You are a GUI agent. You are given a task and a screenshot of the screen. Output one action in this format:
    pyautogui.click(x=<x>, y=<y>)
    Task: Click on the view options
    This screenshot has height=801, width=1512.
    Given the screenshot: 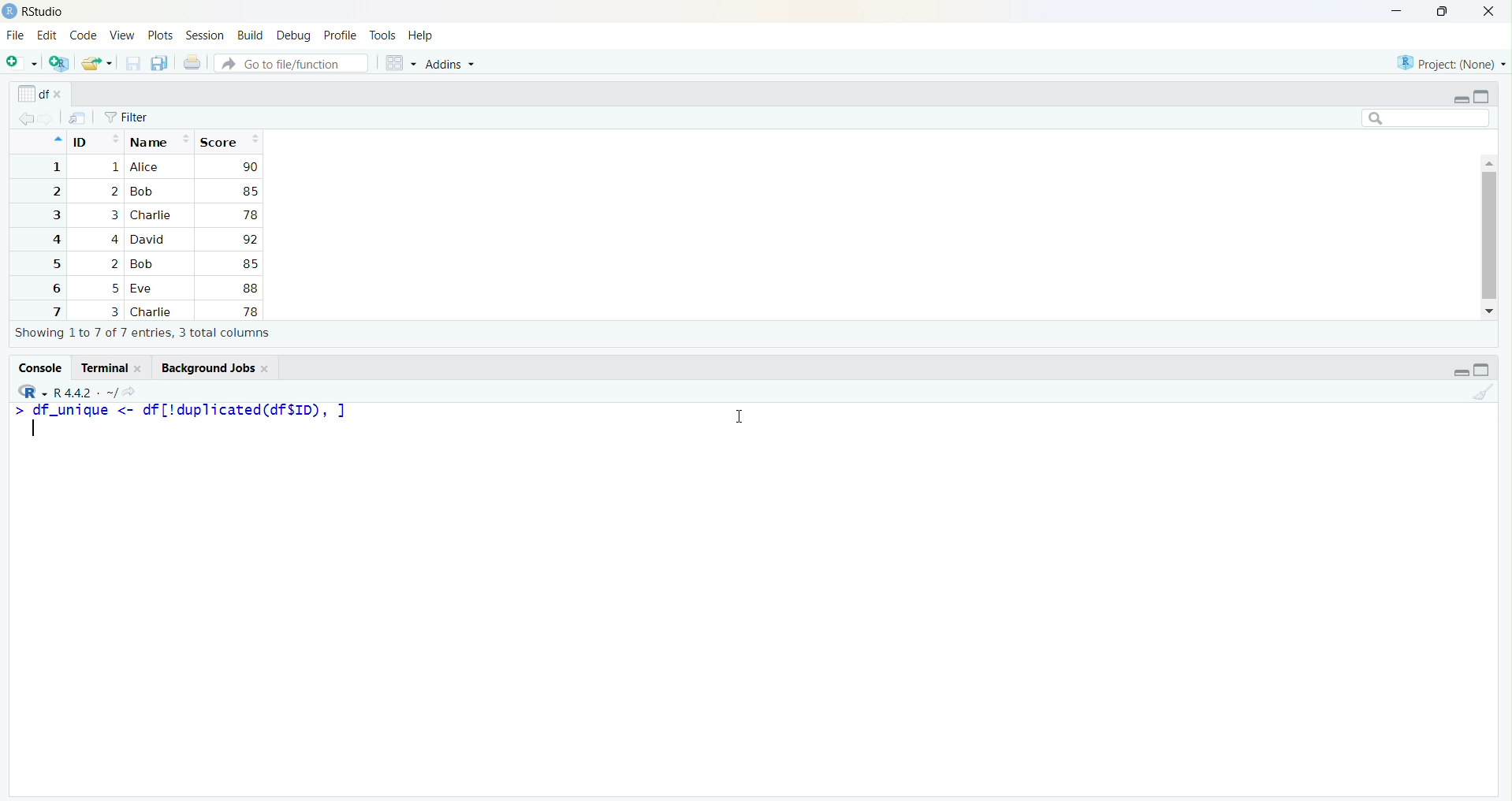 What is the action you would take?
    pyautogui.click(x=400, y=63)
    